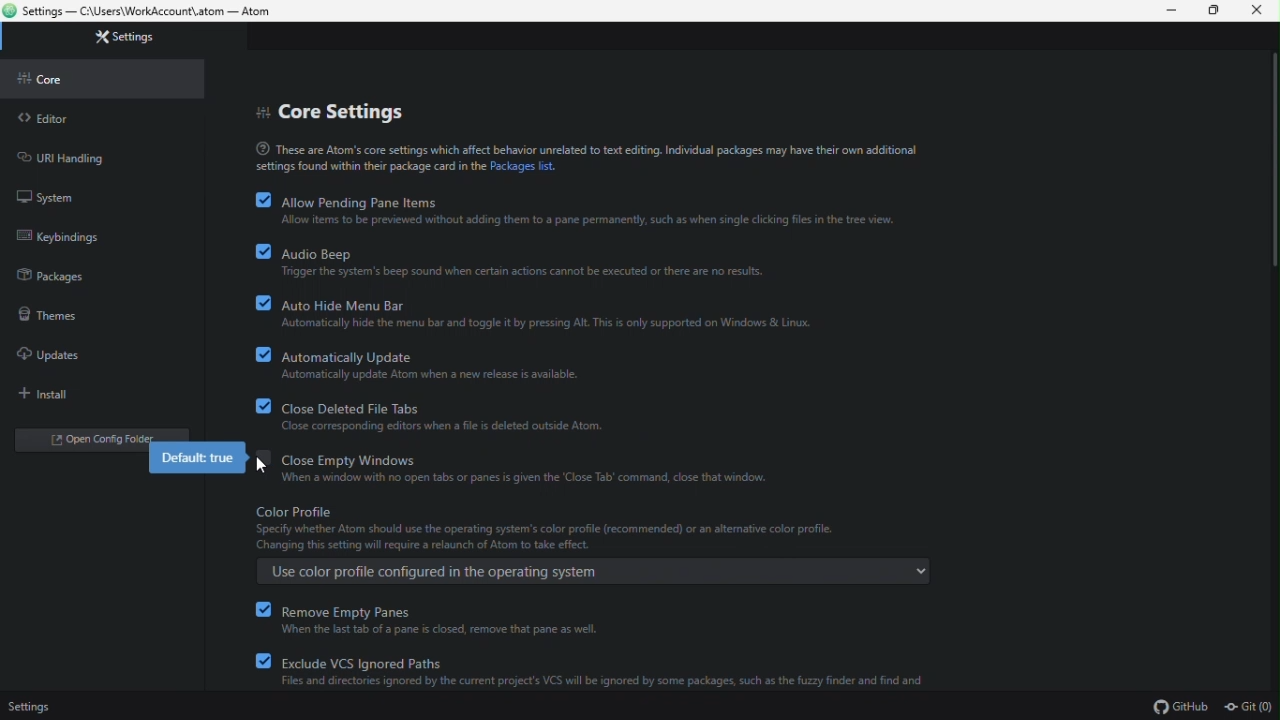 This screenshot has height=720, width=1280. Describe the element at coordinates (257, 352) in the screenshot. I see `checkbox` at that location.